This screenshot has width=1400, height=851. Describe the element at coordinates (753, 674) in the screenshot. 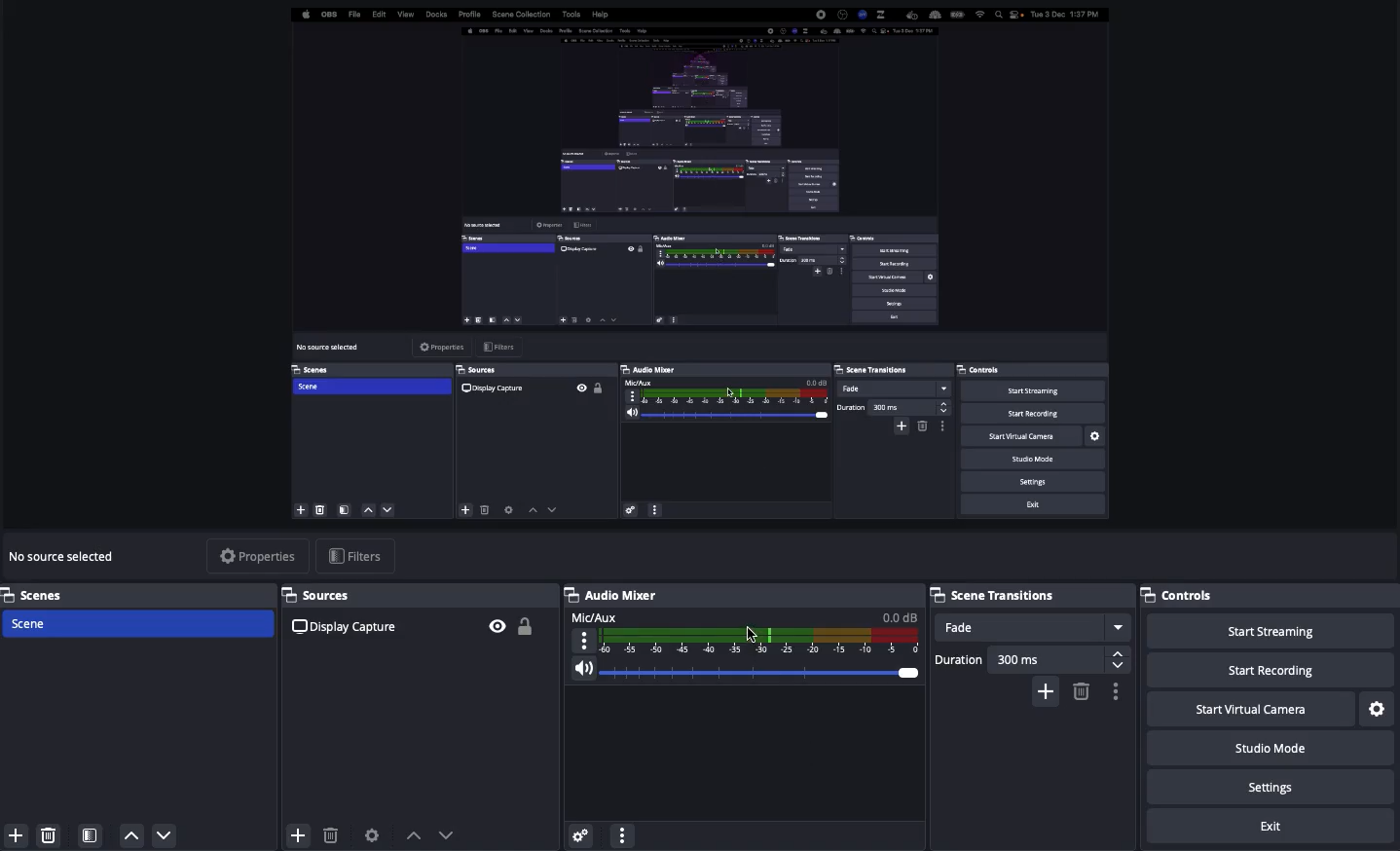

I see `Volume` at that location.